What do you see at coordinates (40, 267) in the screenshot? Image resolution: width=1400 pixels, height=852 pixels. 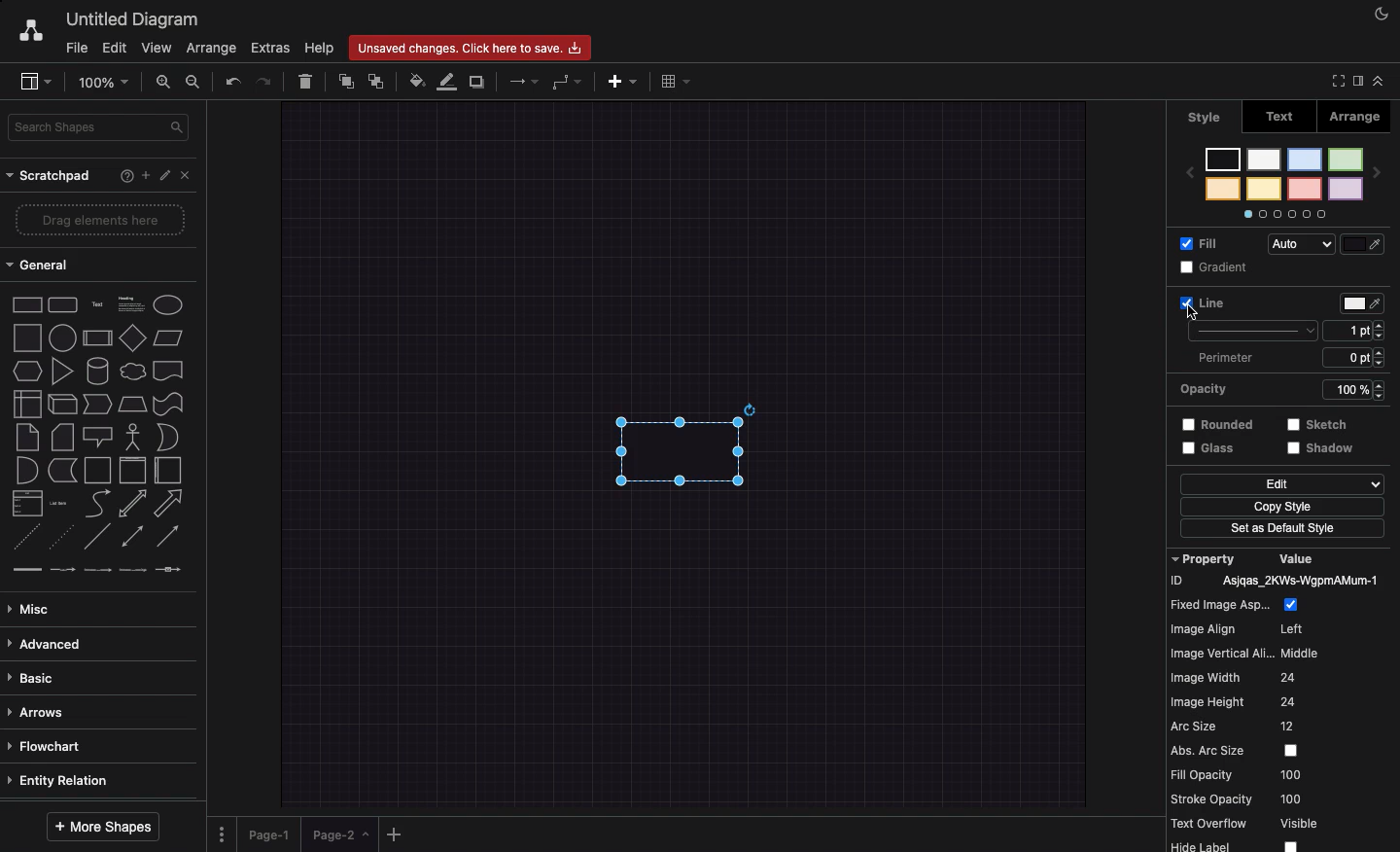 I see `General` at bounding box center [40, 267].